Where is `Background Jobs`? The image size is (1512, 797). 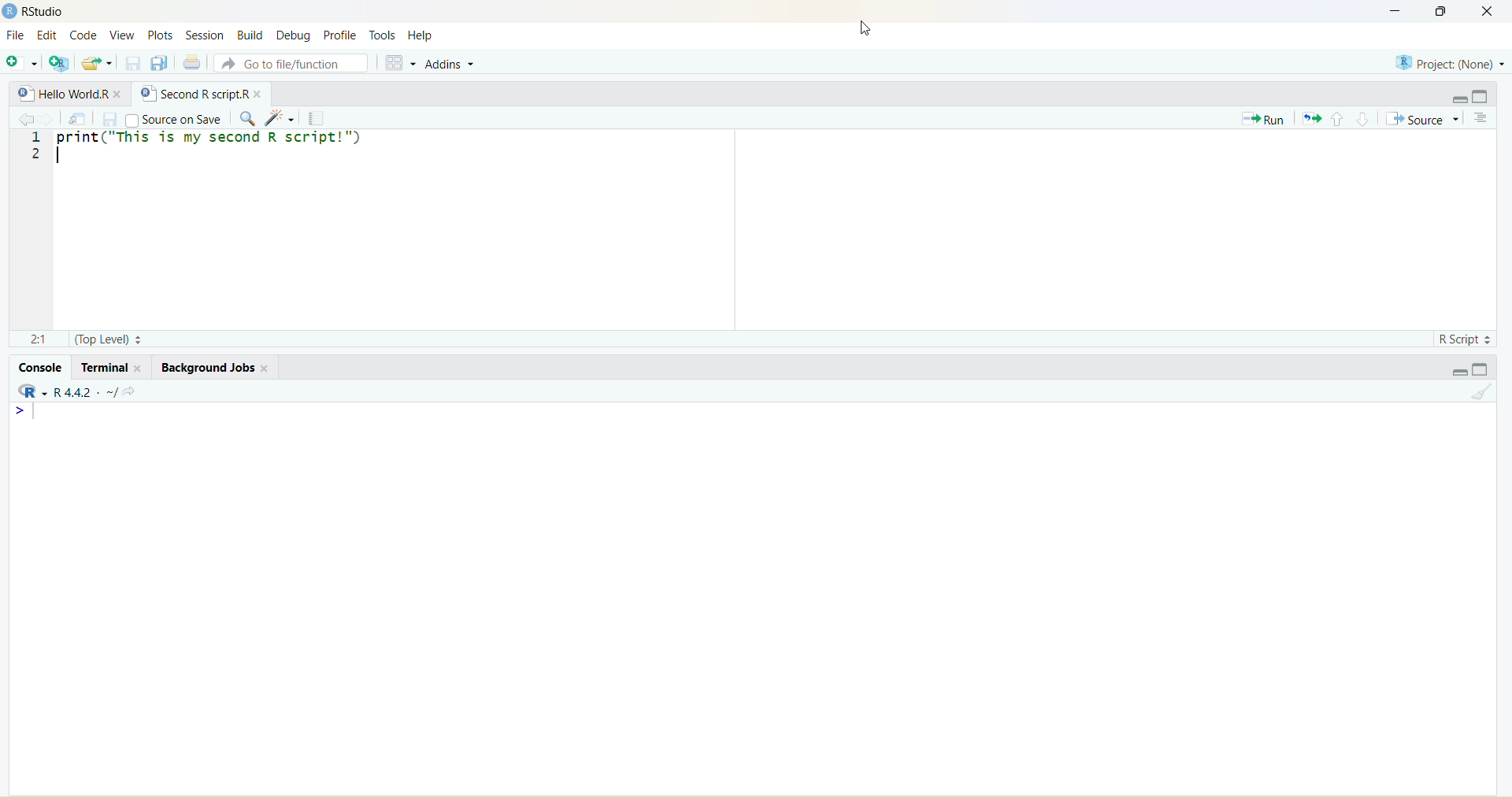 Background Jobs is located at coordinates (209, 366).